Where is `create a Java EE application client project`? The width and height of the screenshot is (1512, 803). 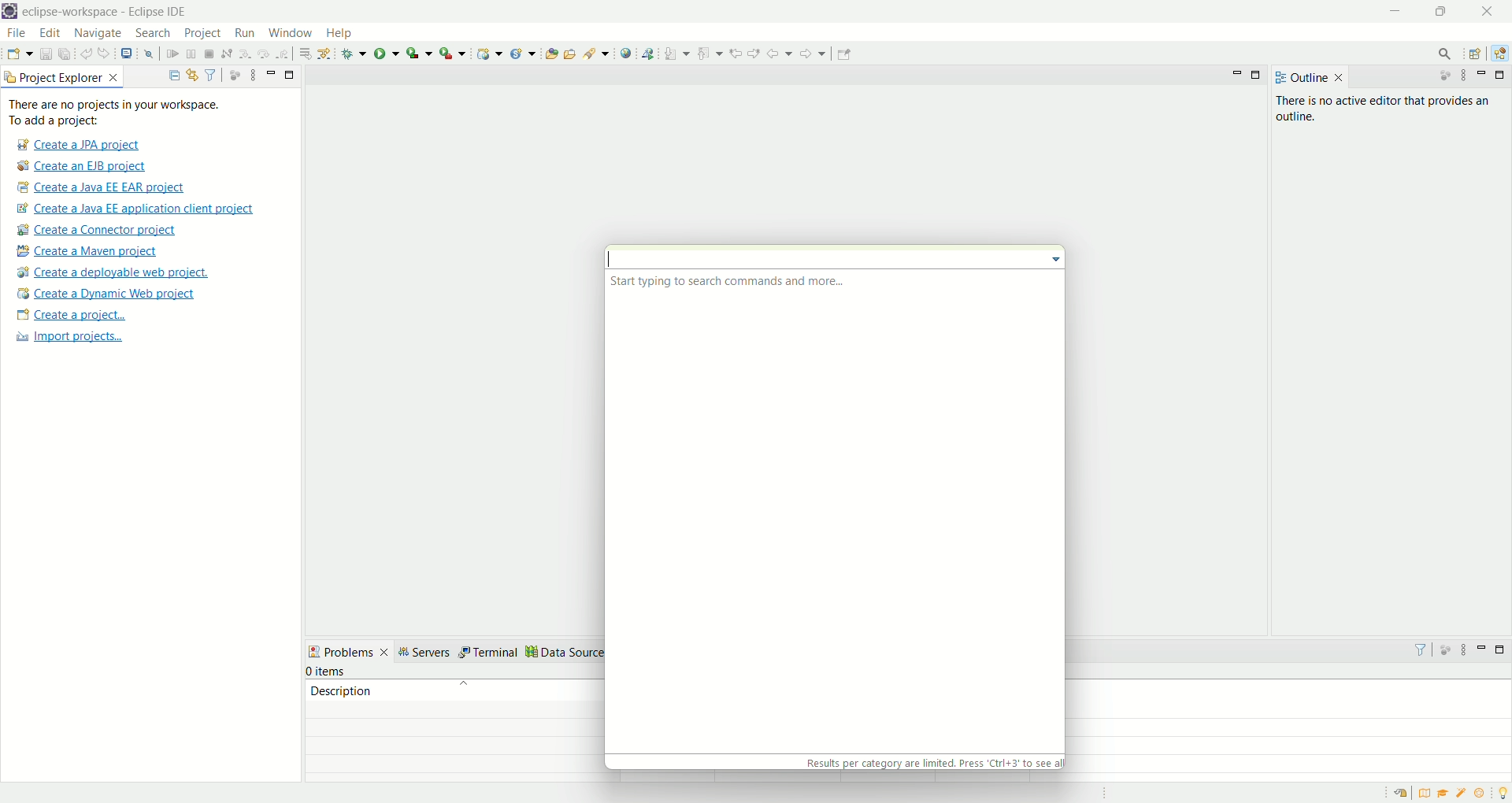 create a Java EE application client project is located at coordinates (141, 210).